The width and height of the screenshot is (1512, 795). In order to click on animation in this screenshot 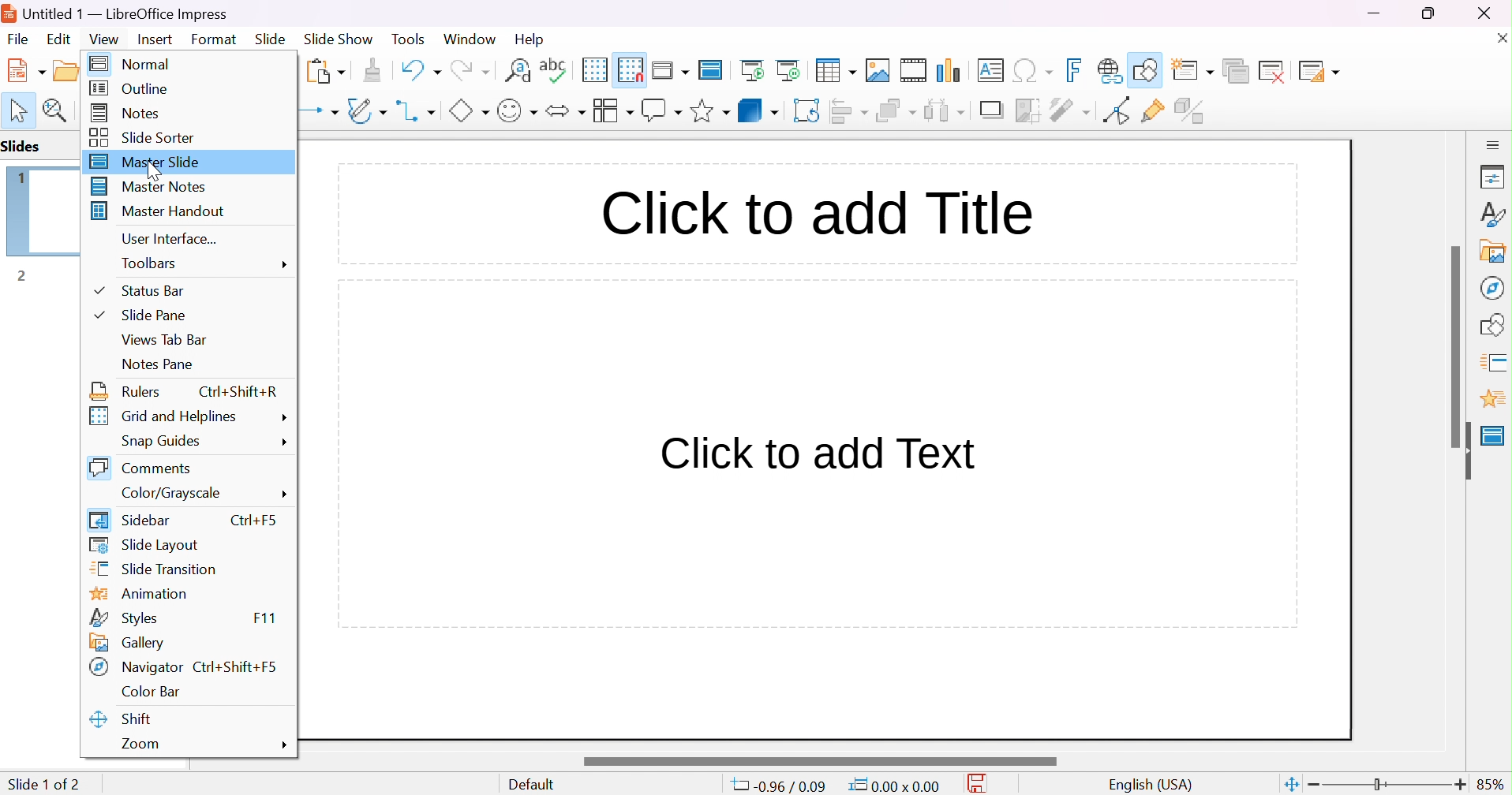, I will do `click(139, 595)`.